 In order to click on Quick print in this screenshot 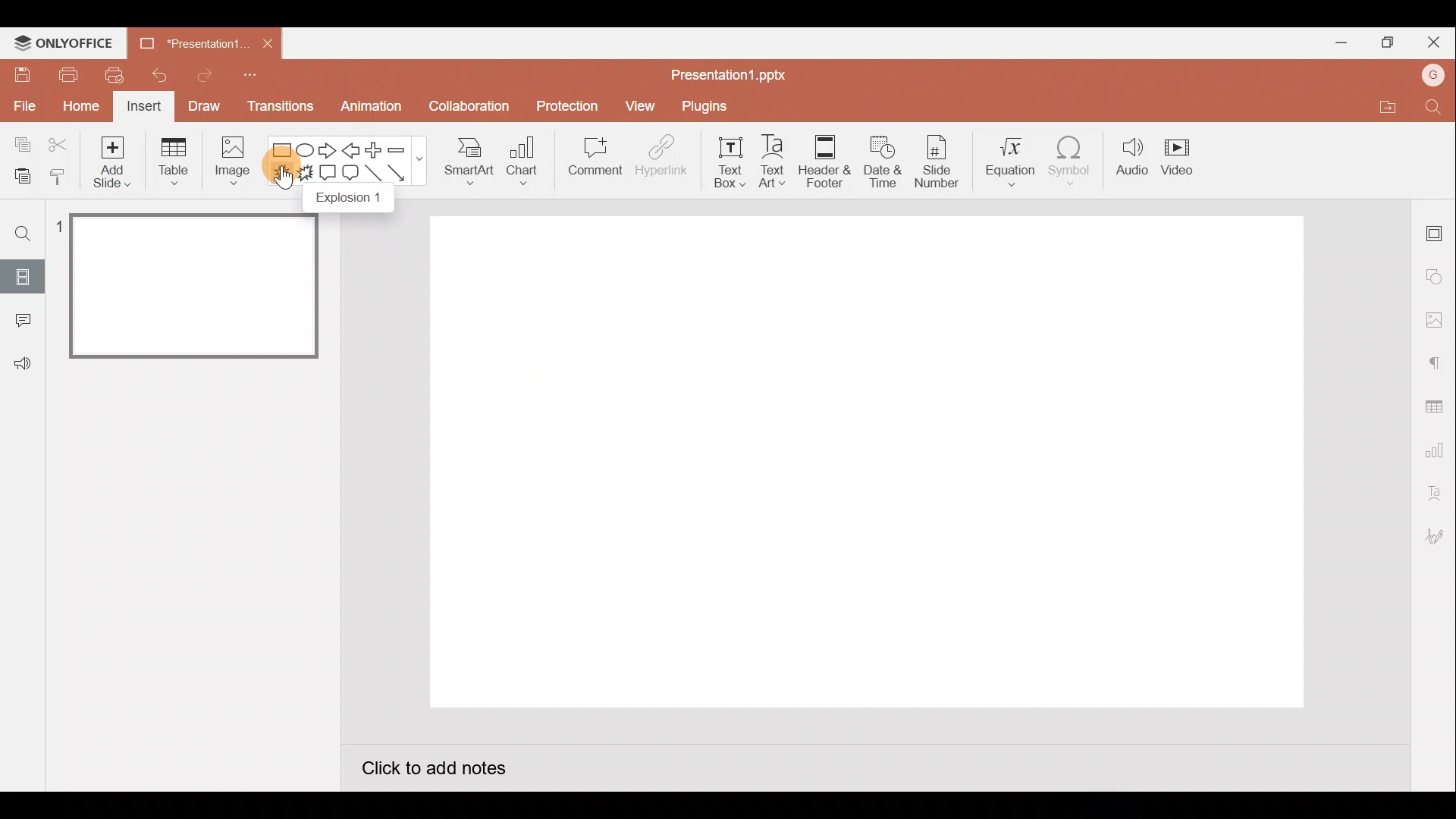, I will do `click(113, 75)`.